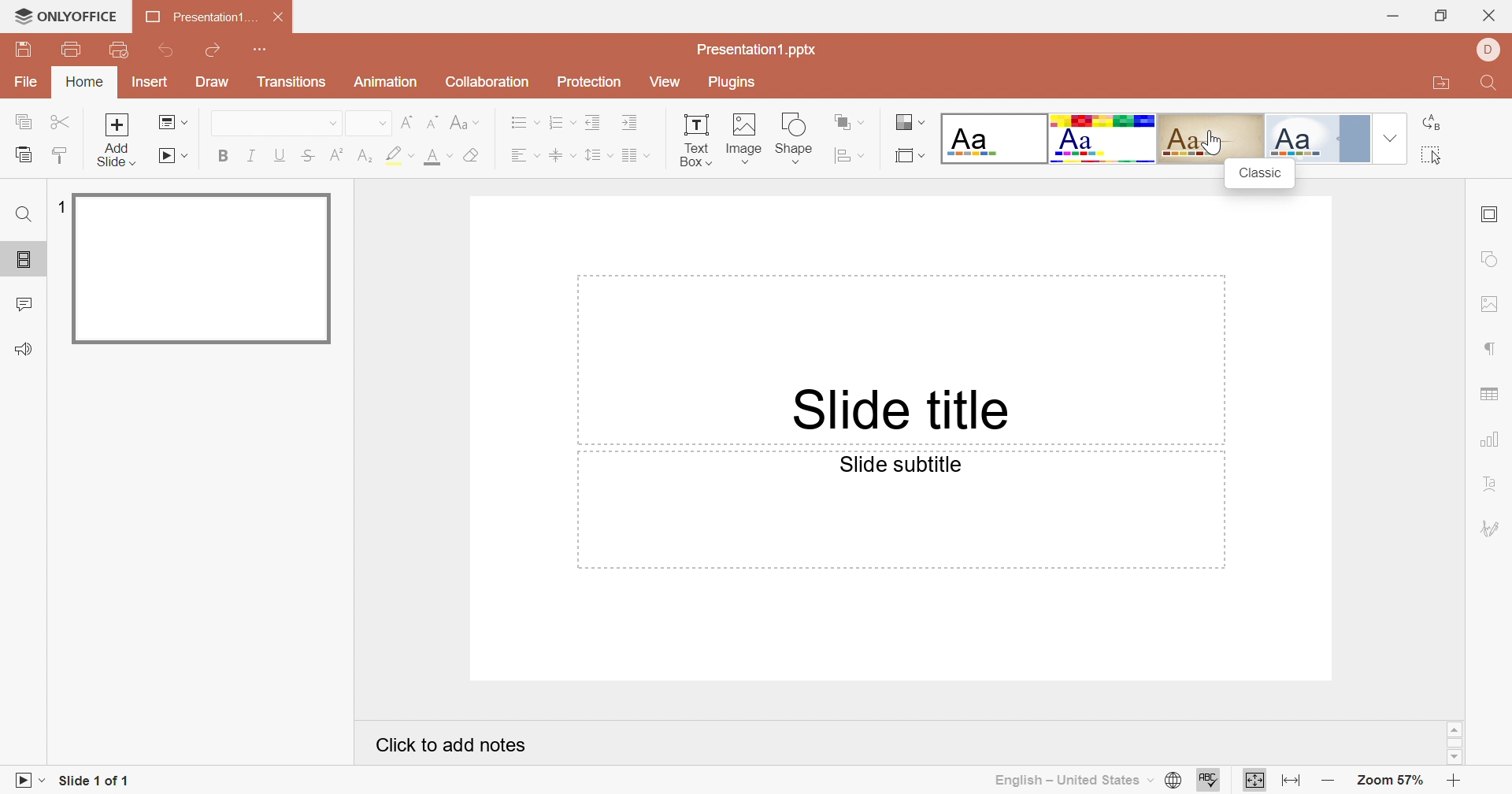 The height and width of the screenshot is (794, 1512). I want to click on Drop Down, so click(575, 155).